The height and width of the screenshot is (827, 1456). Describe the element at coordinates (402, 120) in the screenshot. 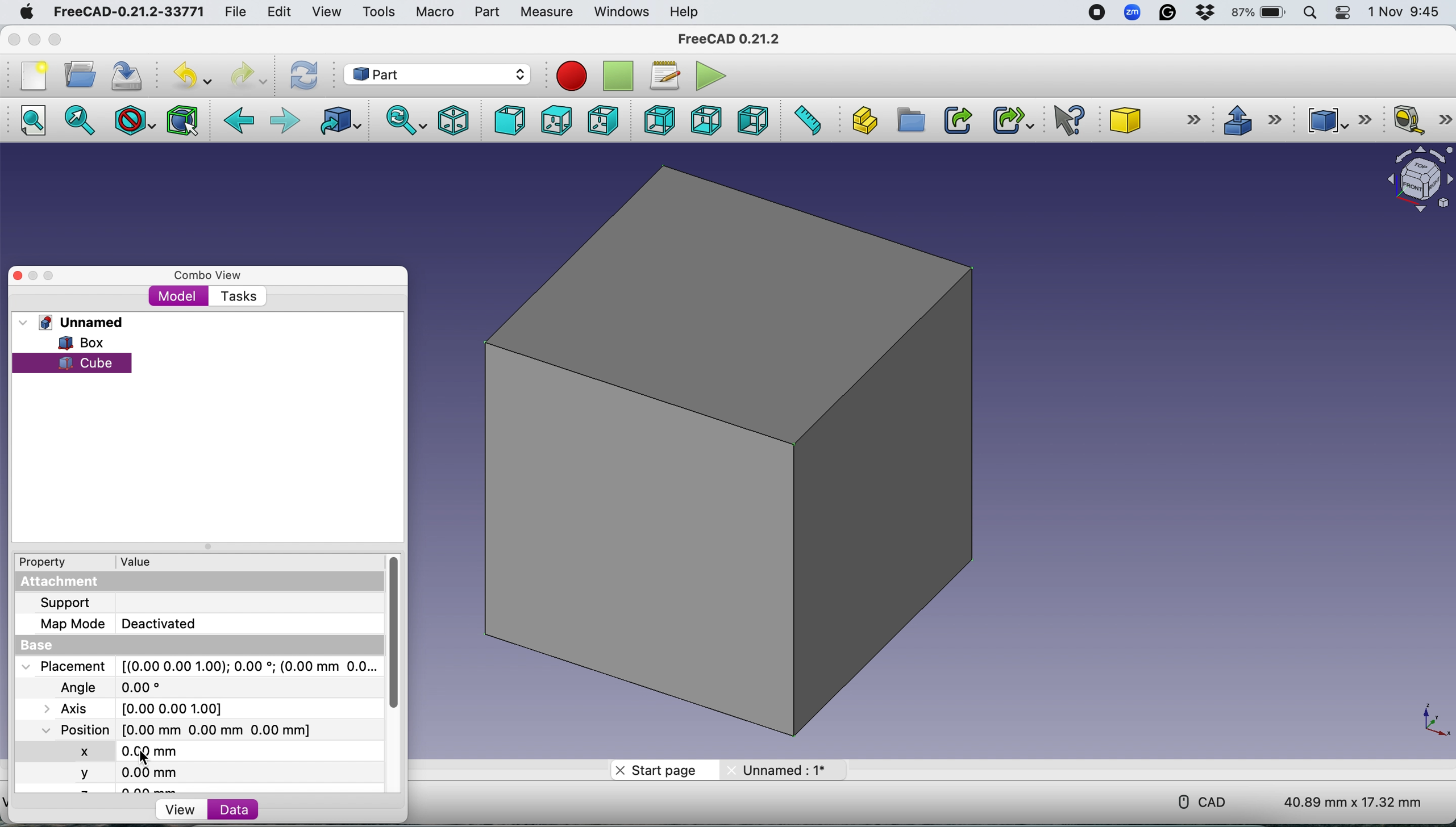

I see `Sync view` at that location.